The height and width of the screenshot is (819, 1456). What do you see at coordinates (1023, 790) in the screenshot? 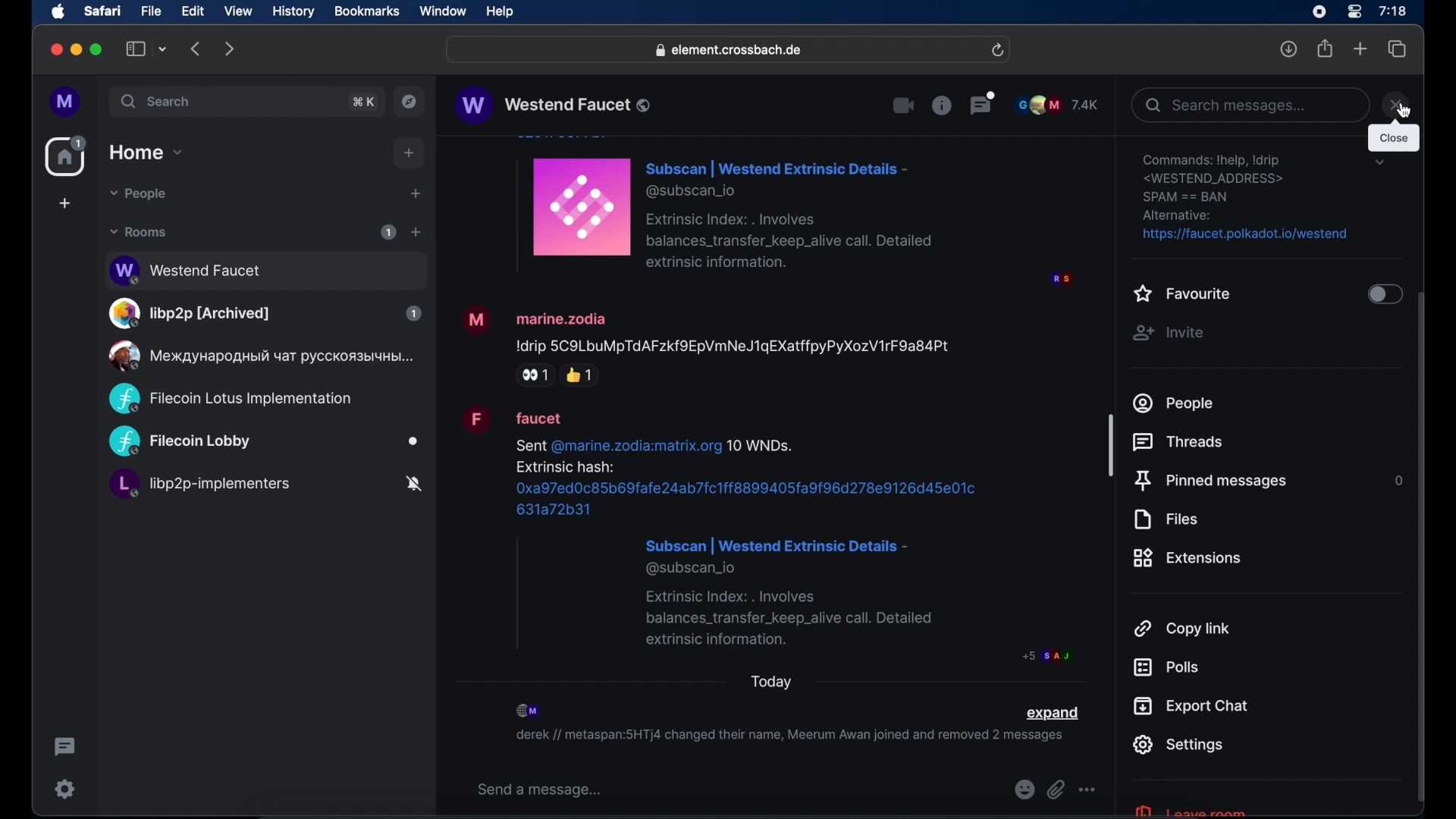
I see `emojis` at bounding box center [1023, 790].